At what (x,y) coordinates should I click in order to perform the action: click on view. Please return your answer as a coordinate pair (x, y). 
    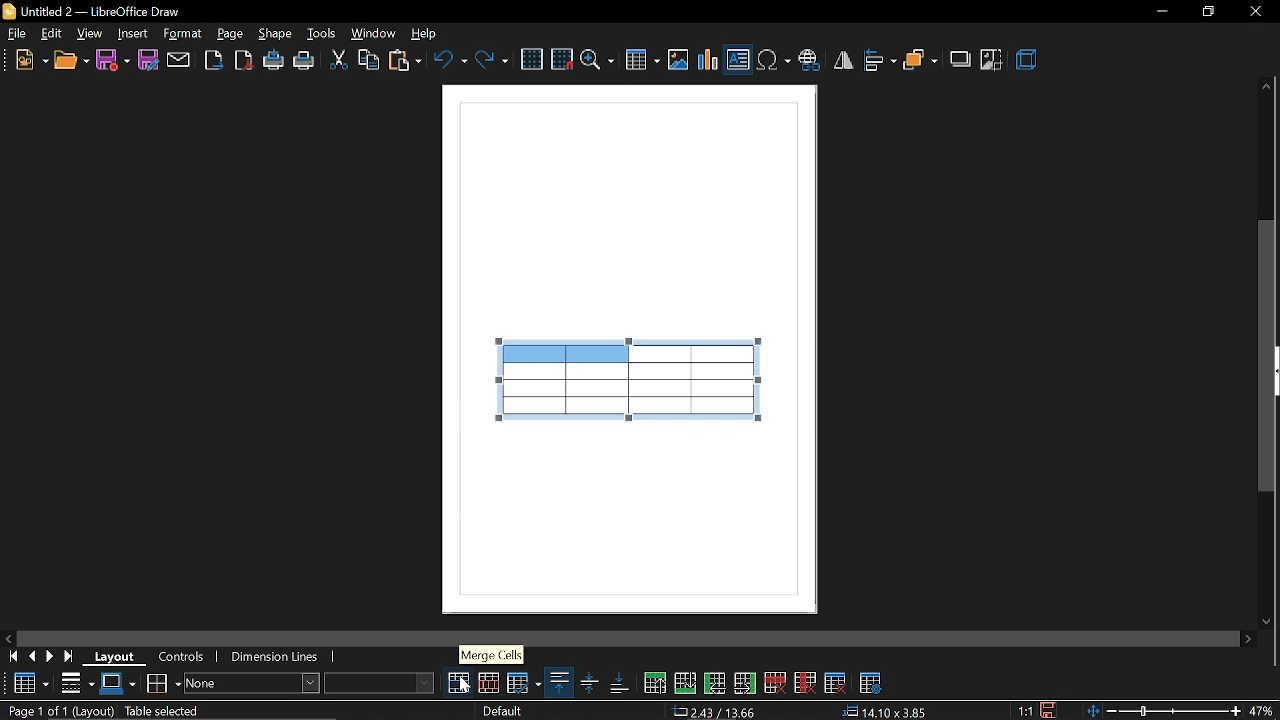
    Looking at the image, I should click on (89, 33).